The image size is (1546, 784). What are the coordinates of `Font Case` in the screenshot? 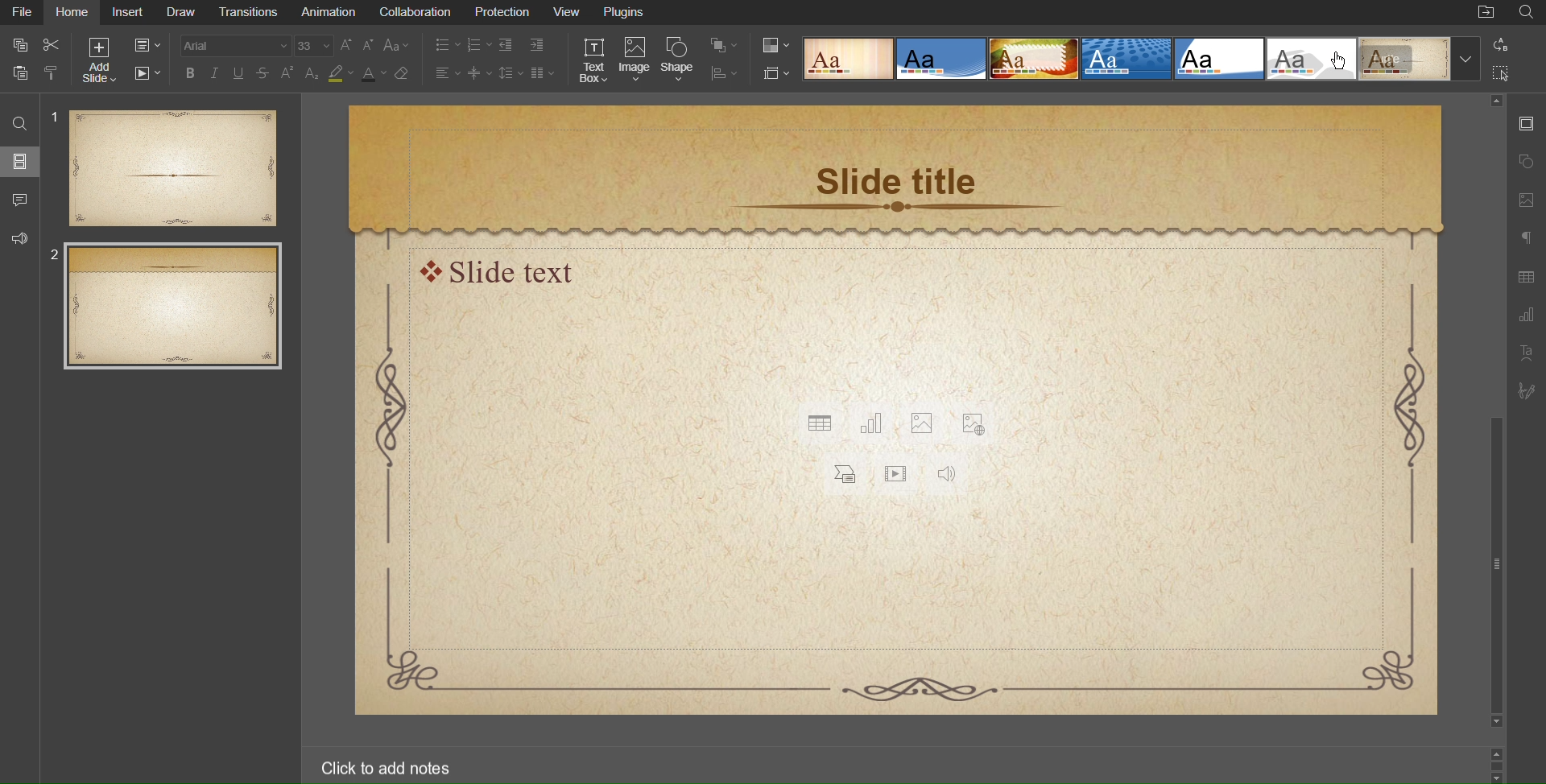 It's located at (399, 47).